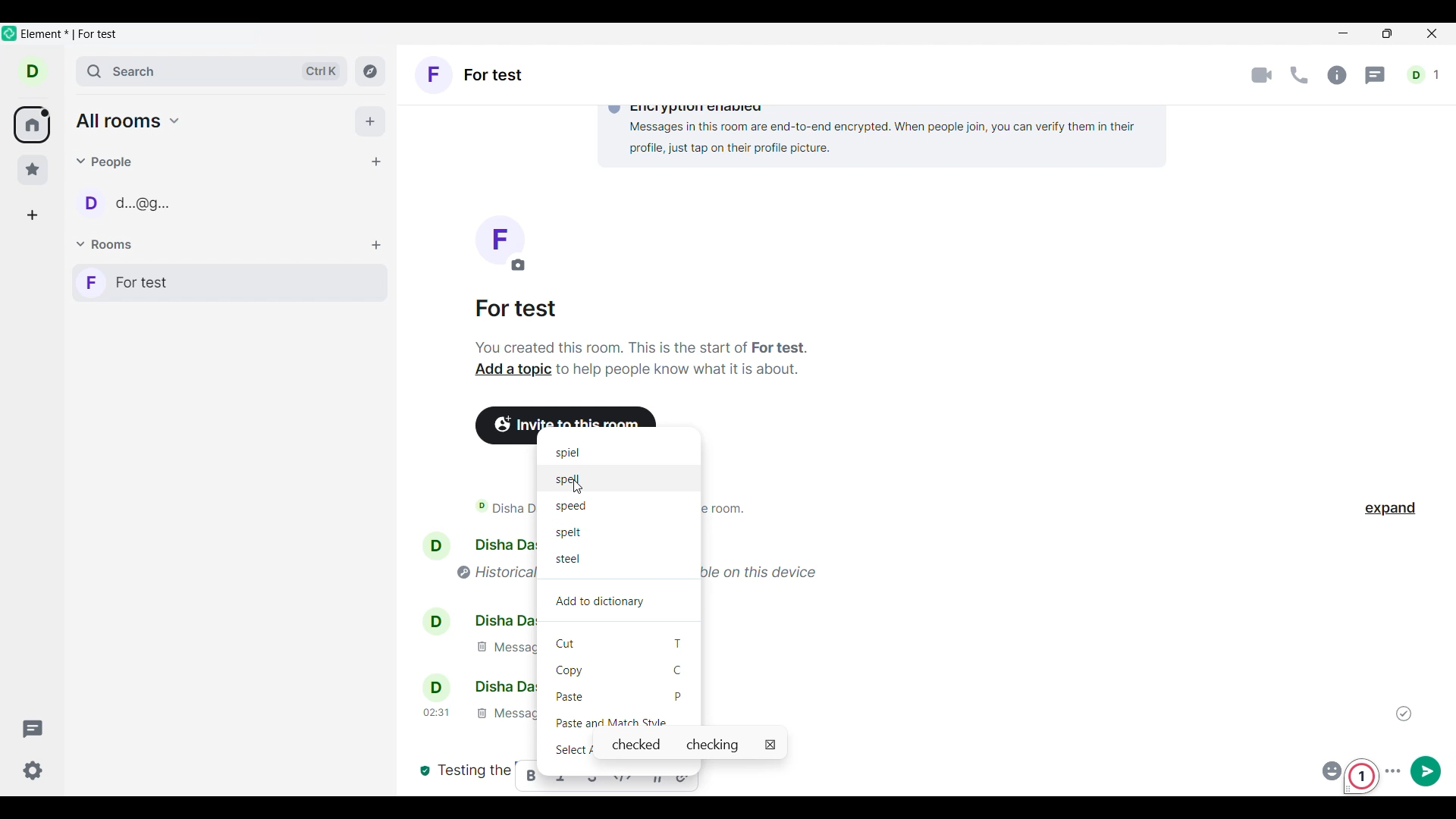 This screenshot has width=1456, height=819. What do you see at coordinates (471, 77) in the screenshot?
I see `f for test` at bounding box center [471, 77].